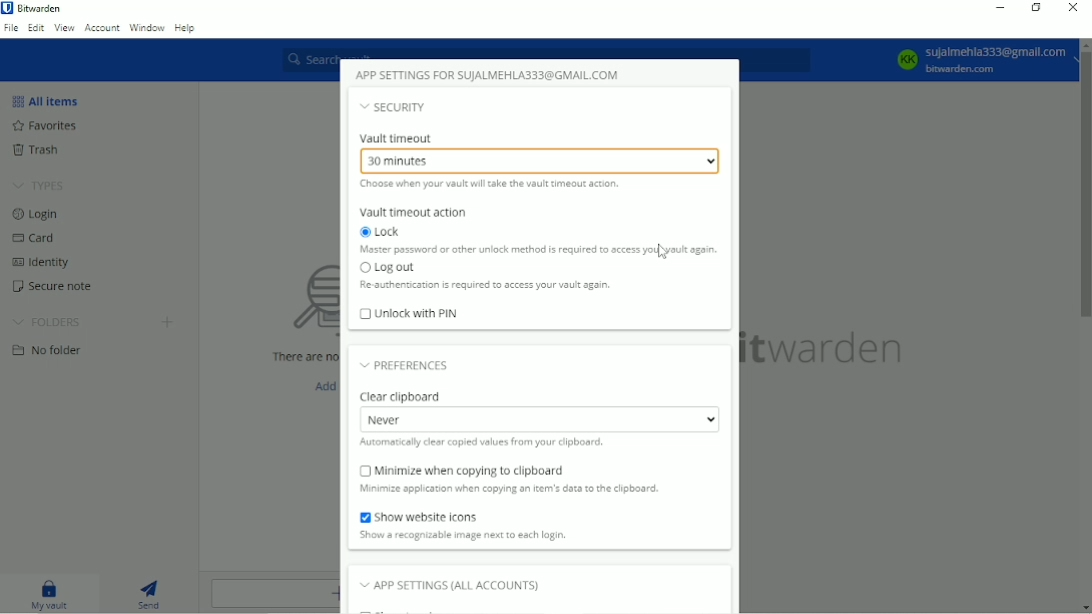 The width and height of the screenshot is (1092, 614). Describe the element at coordinates (663, 252) in the screenshot. I see `cursor` at that location.